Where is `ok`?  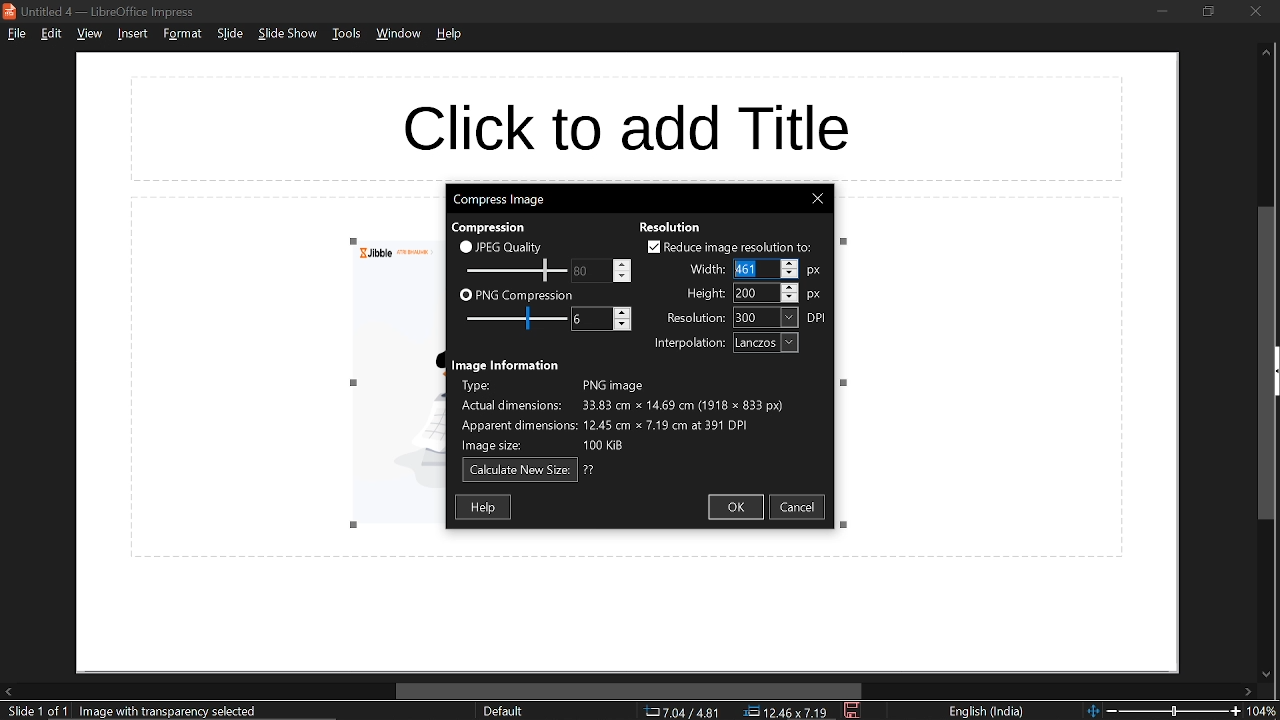
ok is located at coordinates (738, 508).